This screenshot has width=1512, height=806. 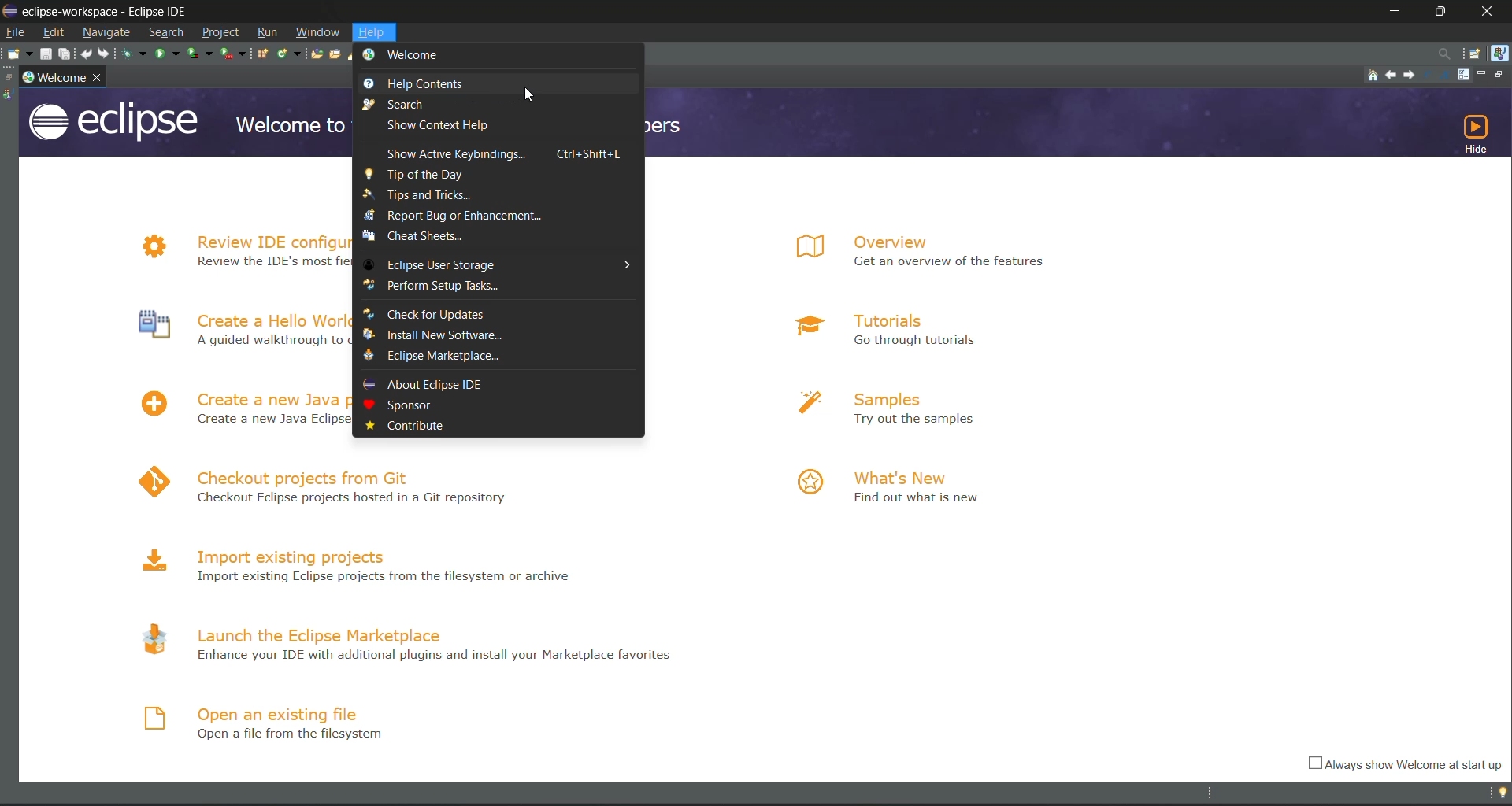 I want to click on Create a new Java project, so click(x=266, y=423).